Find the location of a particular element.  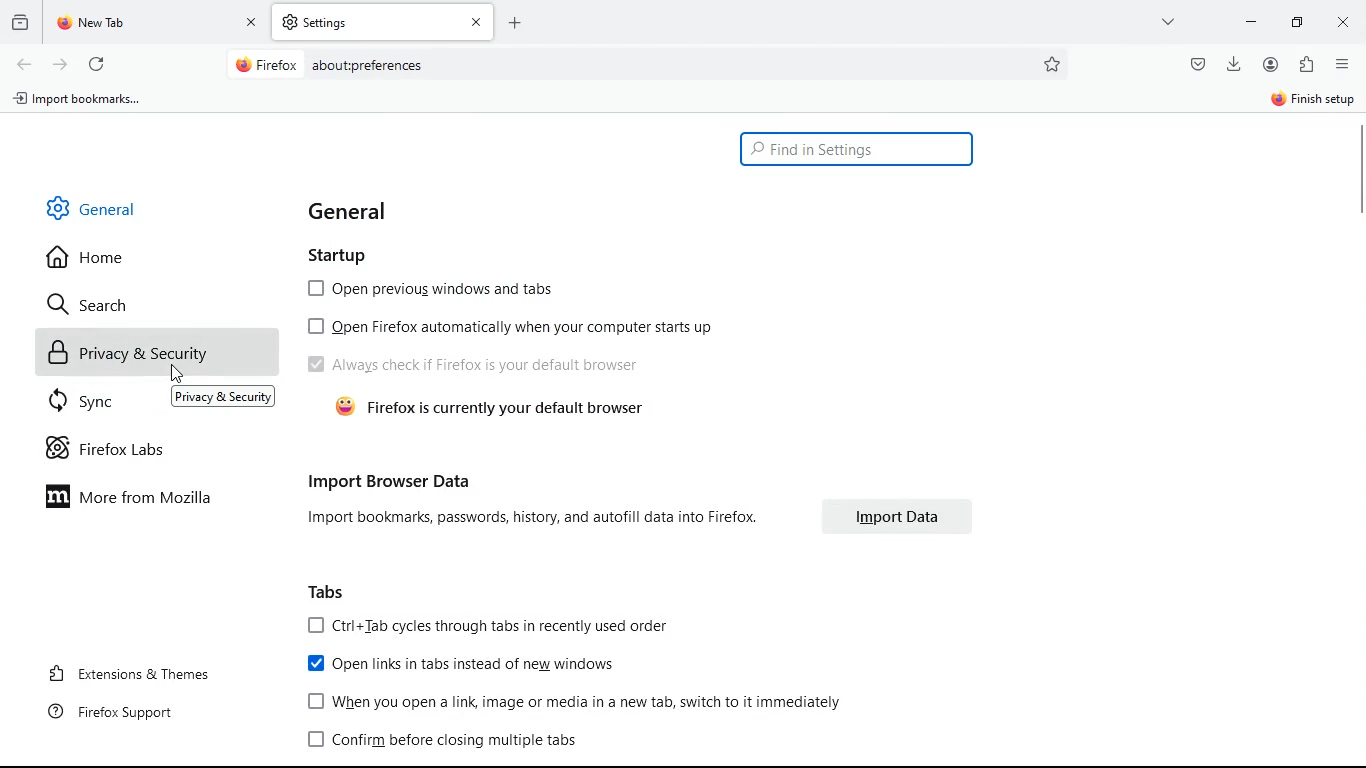

back is located at coordinates (22, 65).